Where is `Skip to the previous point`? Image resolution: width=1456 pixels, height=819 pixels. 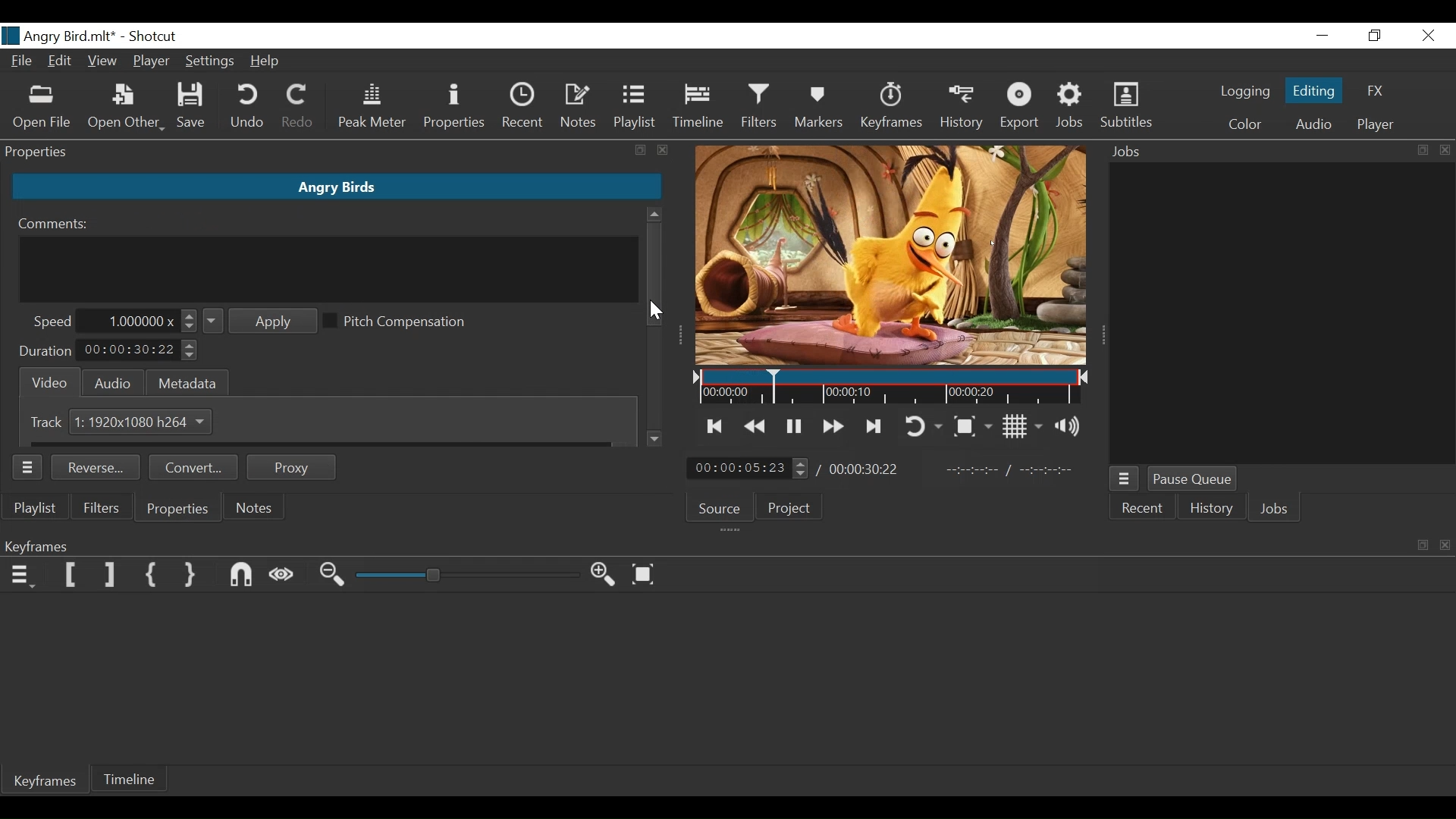 Skip to the previous point is located at coordinates (715, 427).